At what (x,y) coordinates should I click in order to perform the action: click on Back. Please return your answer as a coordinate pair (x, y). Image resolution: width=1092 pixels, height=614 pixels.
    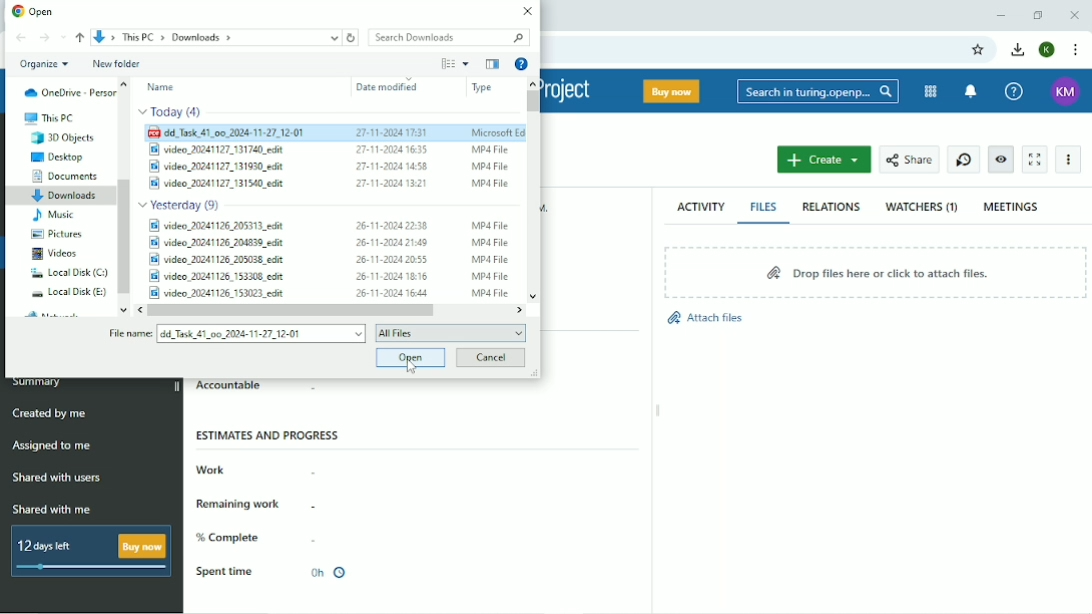
    Looking at the image, I should click on (21, 38).